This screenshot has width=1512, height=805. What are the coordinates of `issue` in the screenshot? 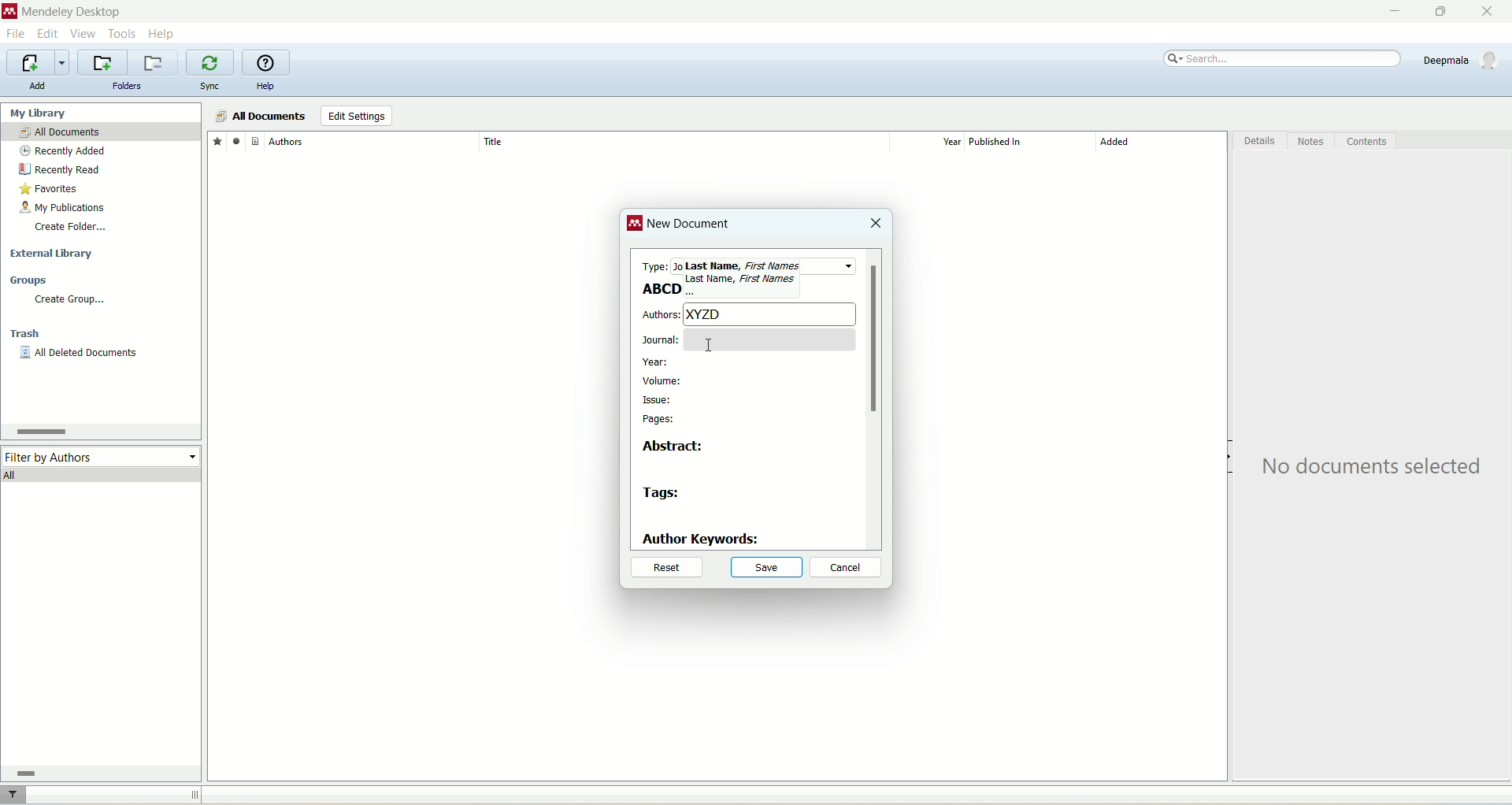 It's located at (658, 402).